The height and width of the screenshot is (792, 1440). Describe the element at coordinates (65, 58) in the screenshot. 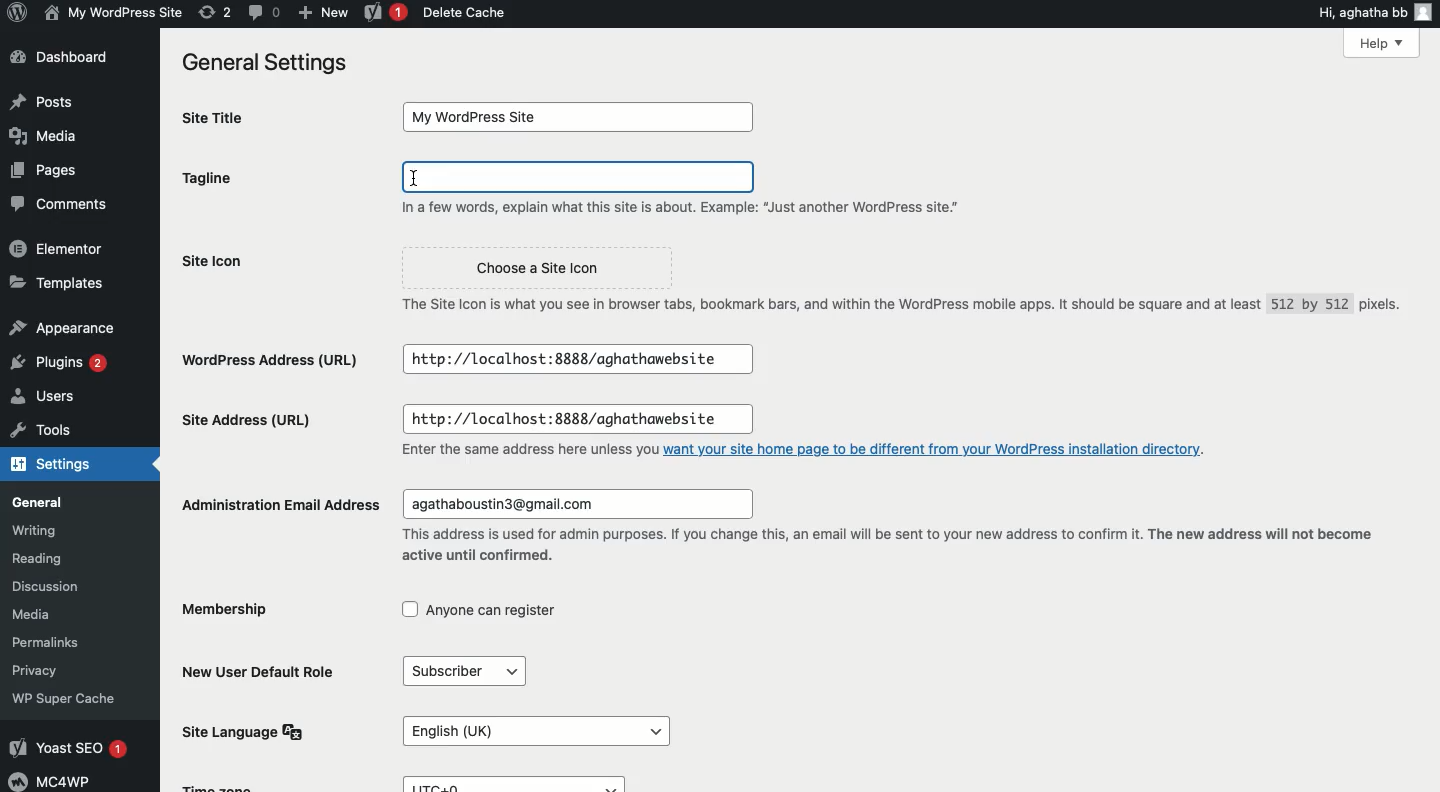

I see `Dashboard` at that location.